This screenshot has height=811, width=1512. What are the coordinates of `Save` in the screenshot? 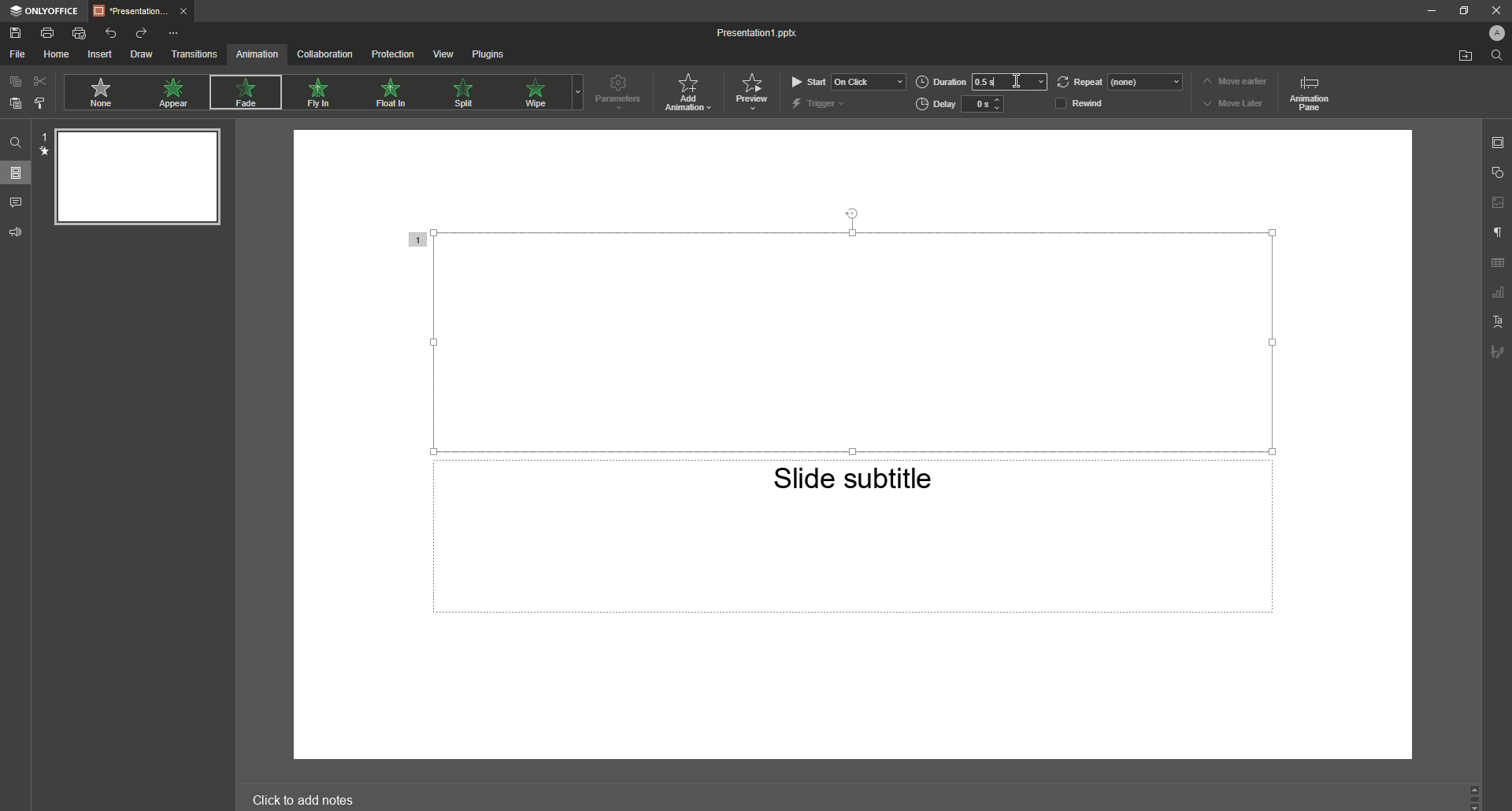 It's located at (20, 31).